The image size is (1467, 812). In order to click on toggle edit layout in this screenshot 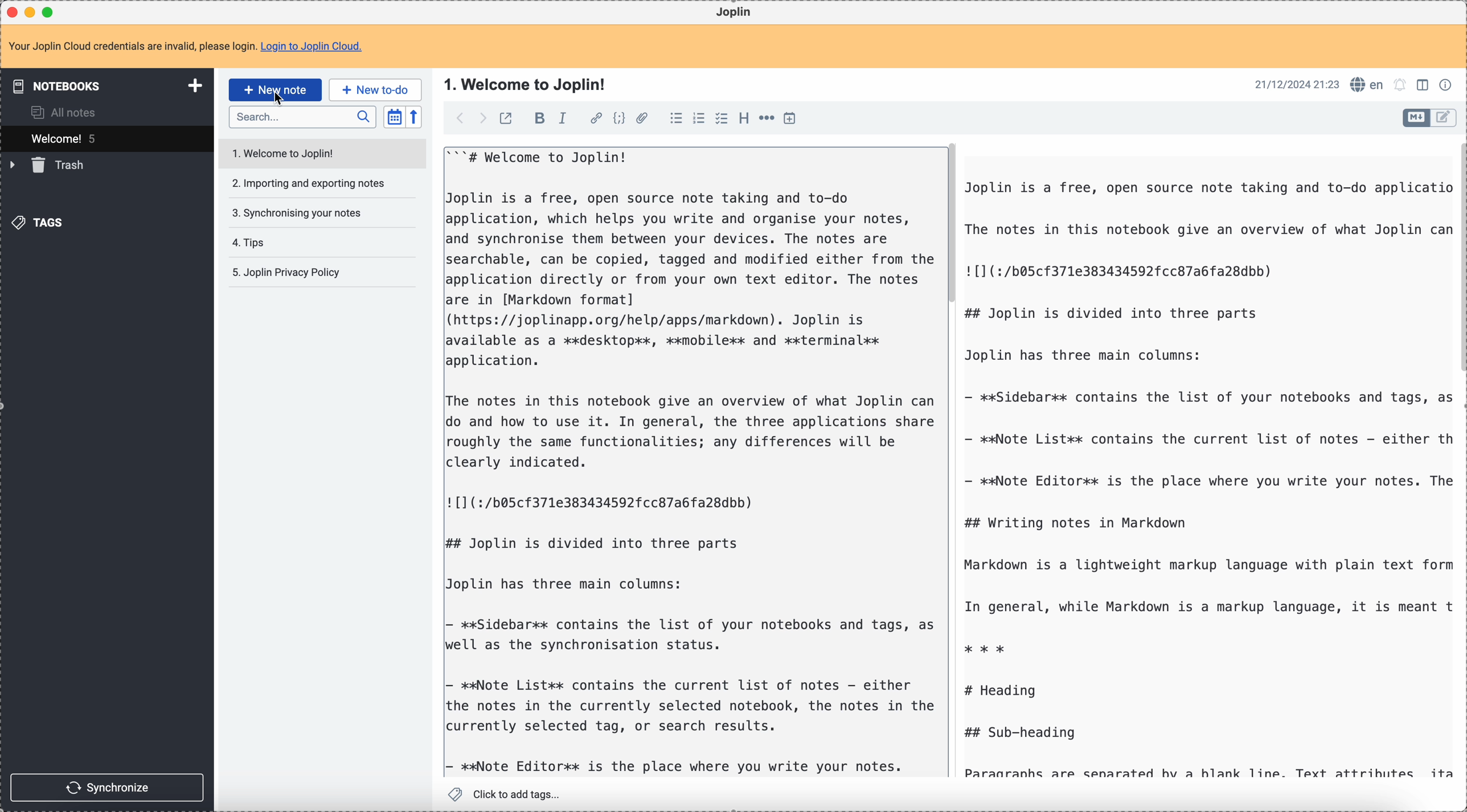, I will do `click(1416, 118)`.